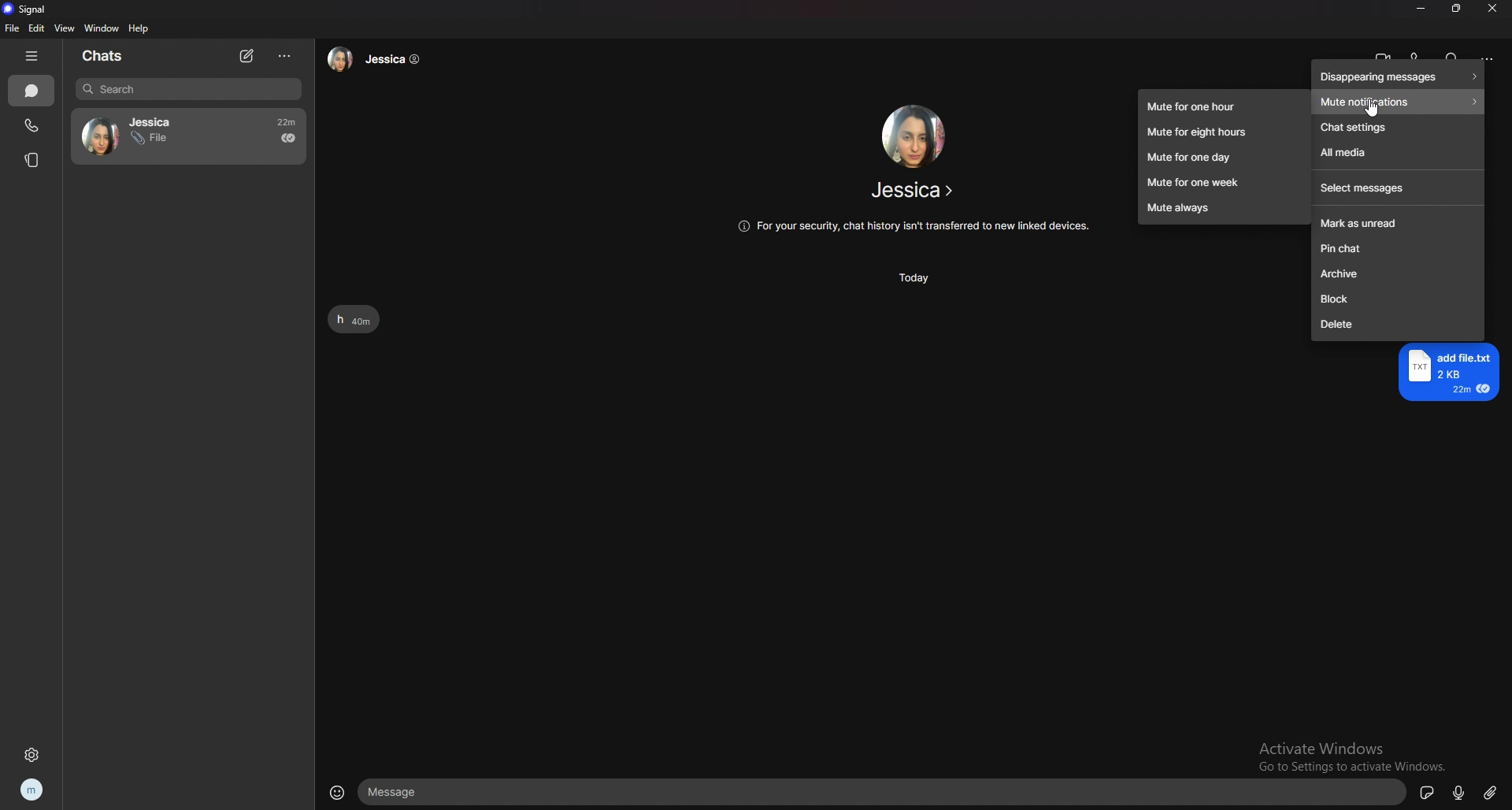 The width and height of the screenshot is (1512, 810). What do you see at coordinates (31, 755) in the screenshot?
I see `settings` at bounding box center [31, 755].